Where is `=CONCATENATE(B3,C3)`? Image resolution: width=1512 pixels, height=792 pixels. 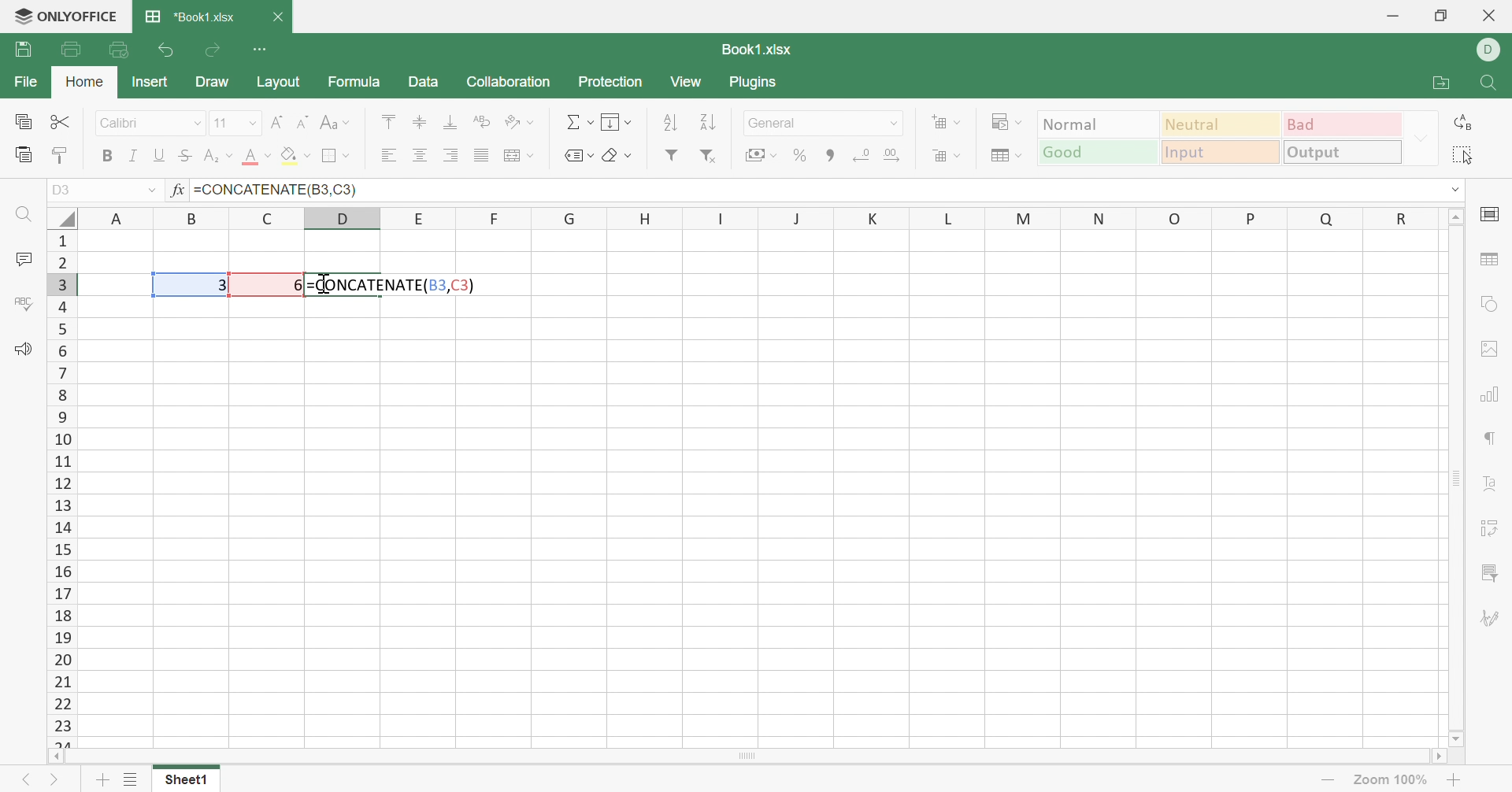
=CONCATENATE(B3,C3) is located at coordinates (391, 285).